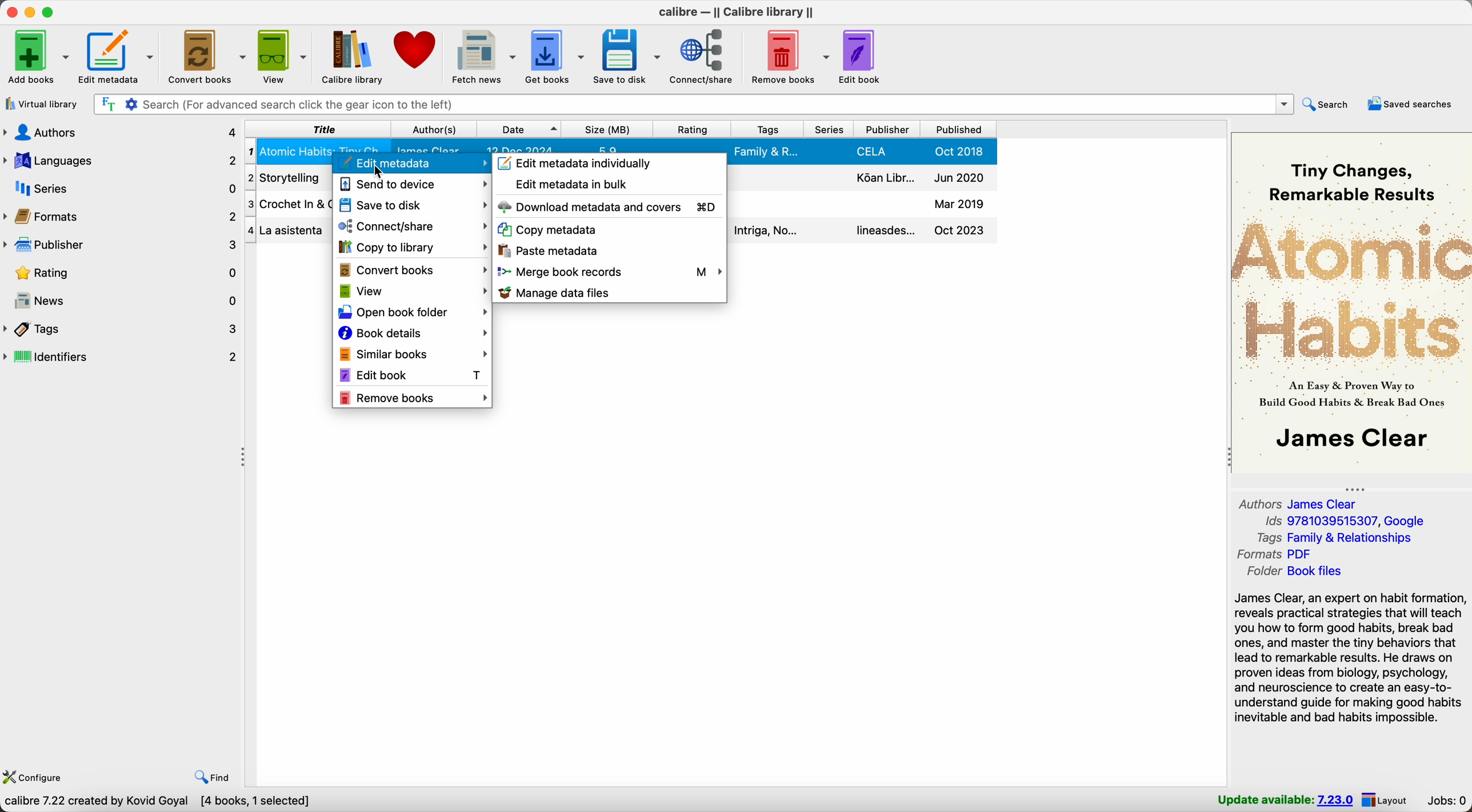 This screenshot has height=812, width=1472. What do you see at coordinates (121, 245) in the screenshot?
I see `publisher` at bounding box center [121, 245].